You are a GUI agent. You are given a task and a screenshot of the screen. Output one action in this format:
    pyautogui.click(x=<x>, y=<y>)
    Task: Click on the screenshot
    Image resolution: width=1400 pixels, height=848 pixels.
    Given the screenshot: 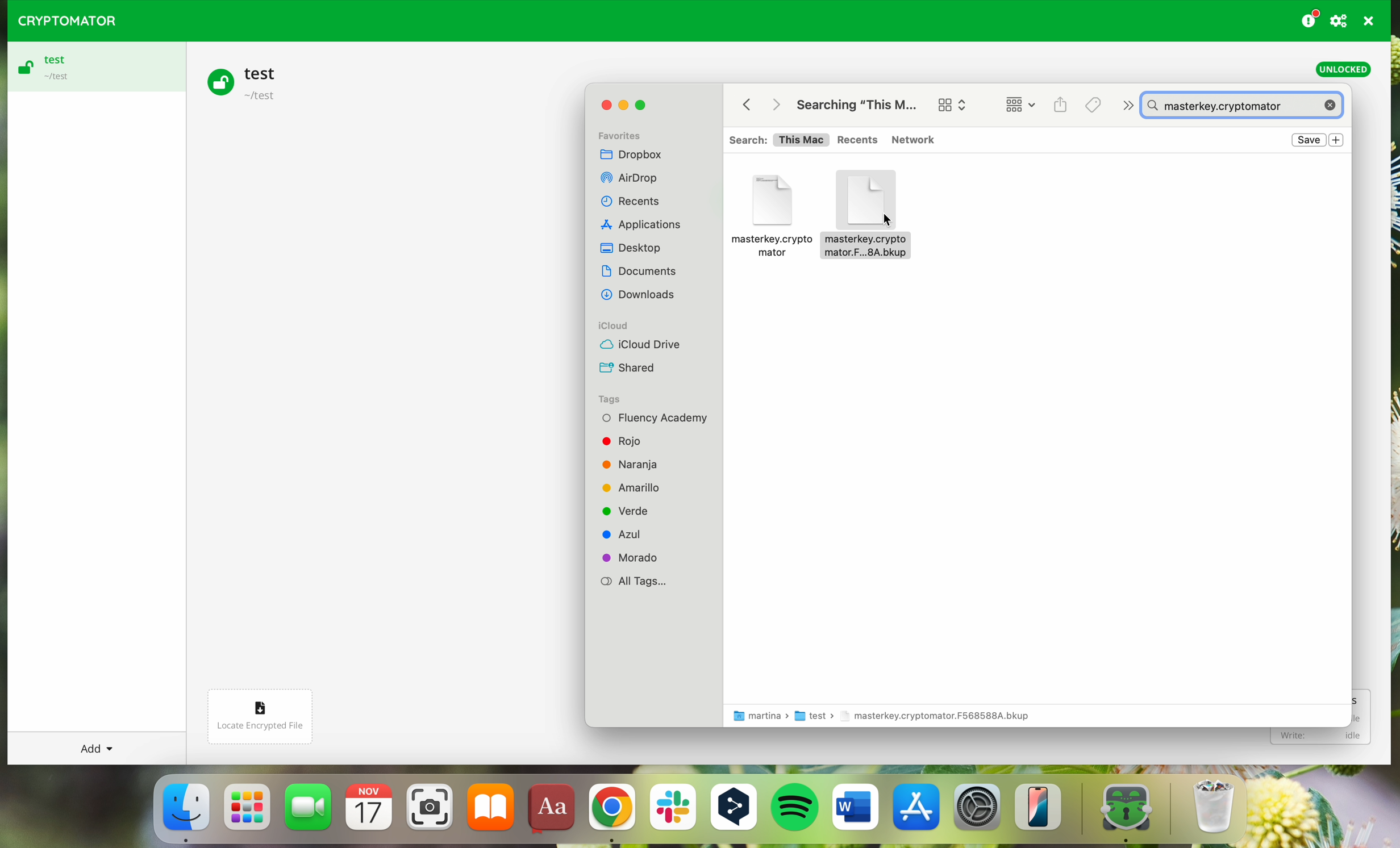 What is the action you would take?
    pyautogui.click(x=430, y=812)
    